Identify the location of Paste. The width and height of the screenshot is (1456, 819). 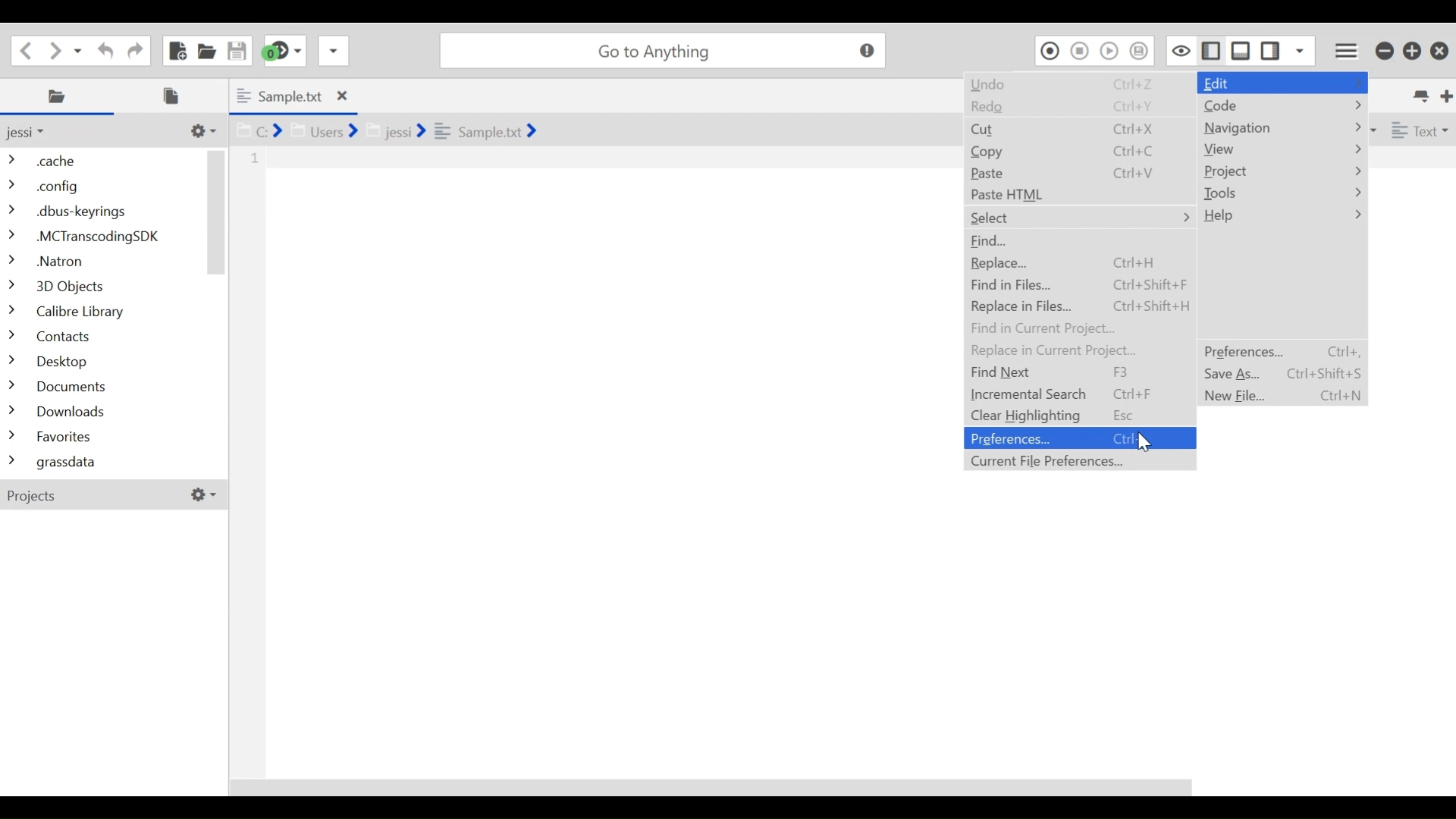
(1077, 172).